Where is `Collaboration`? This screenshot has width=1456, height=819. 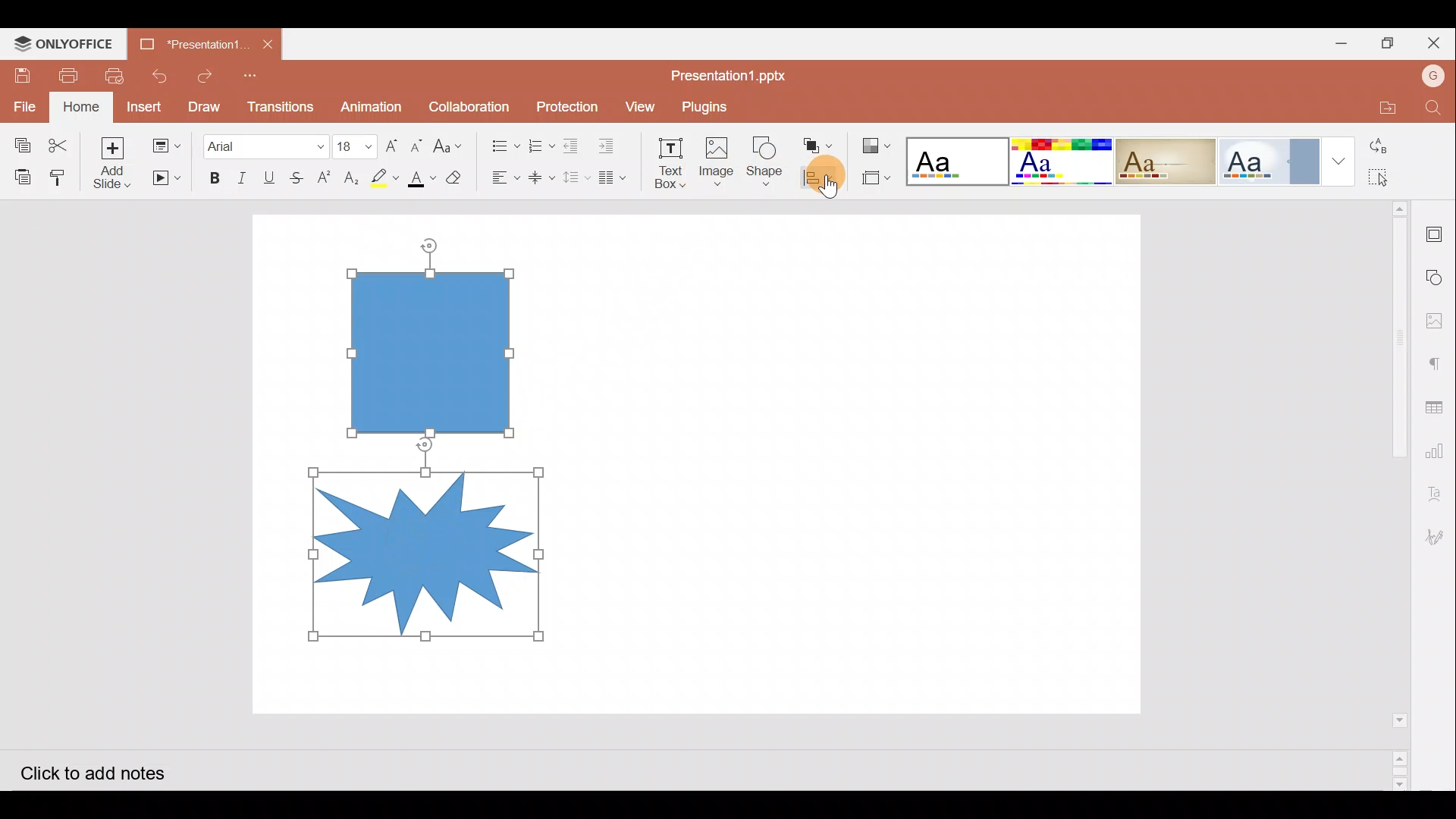 Collaboration is located at coordinates (469, 105).